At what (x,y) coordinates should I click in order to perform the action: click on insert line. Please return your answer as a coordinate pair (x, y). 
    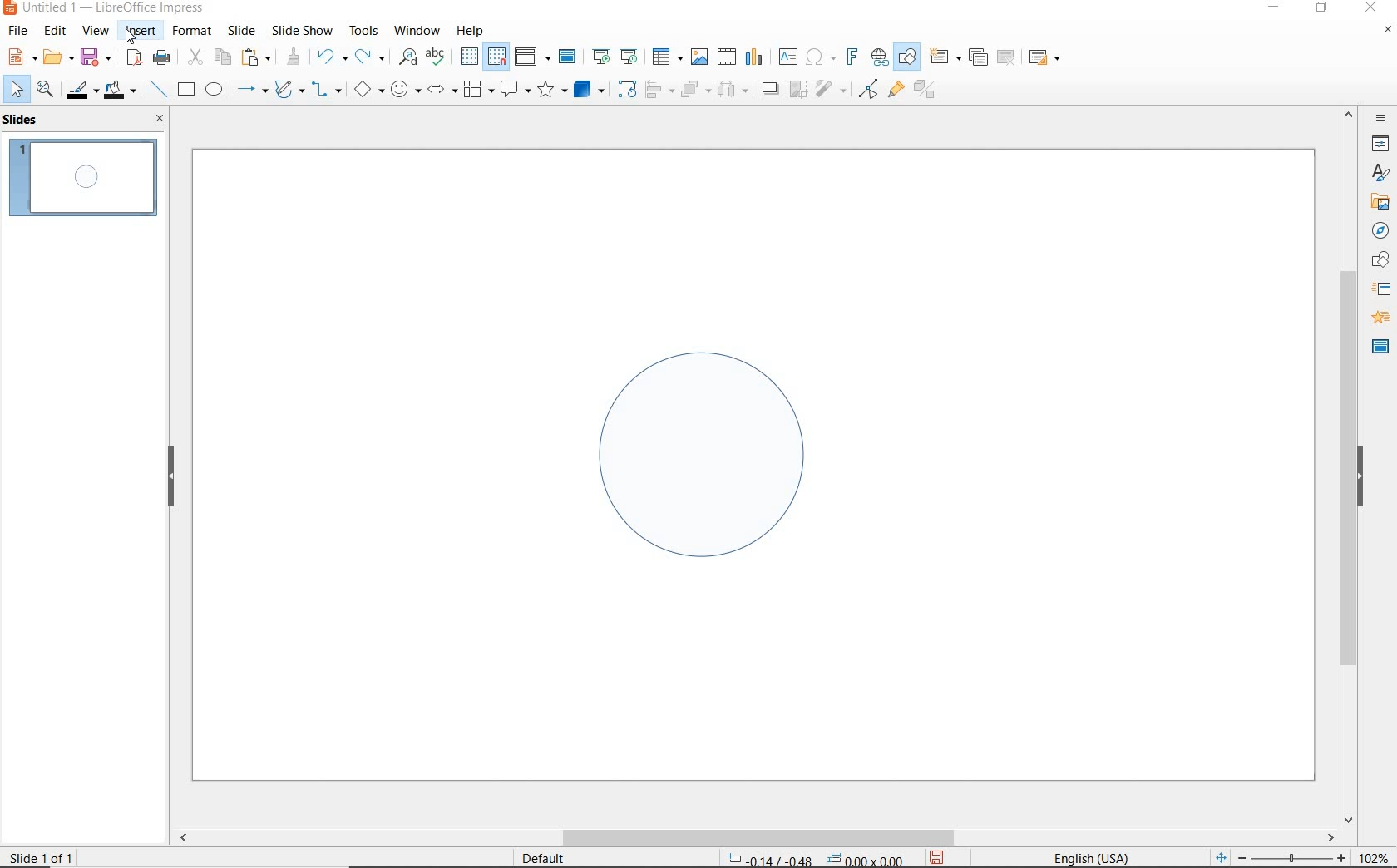
    Looking at the image, I should click on (157, 90).